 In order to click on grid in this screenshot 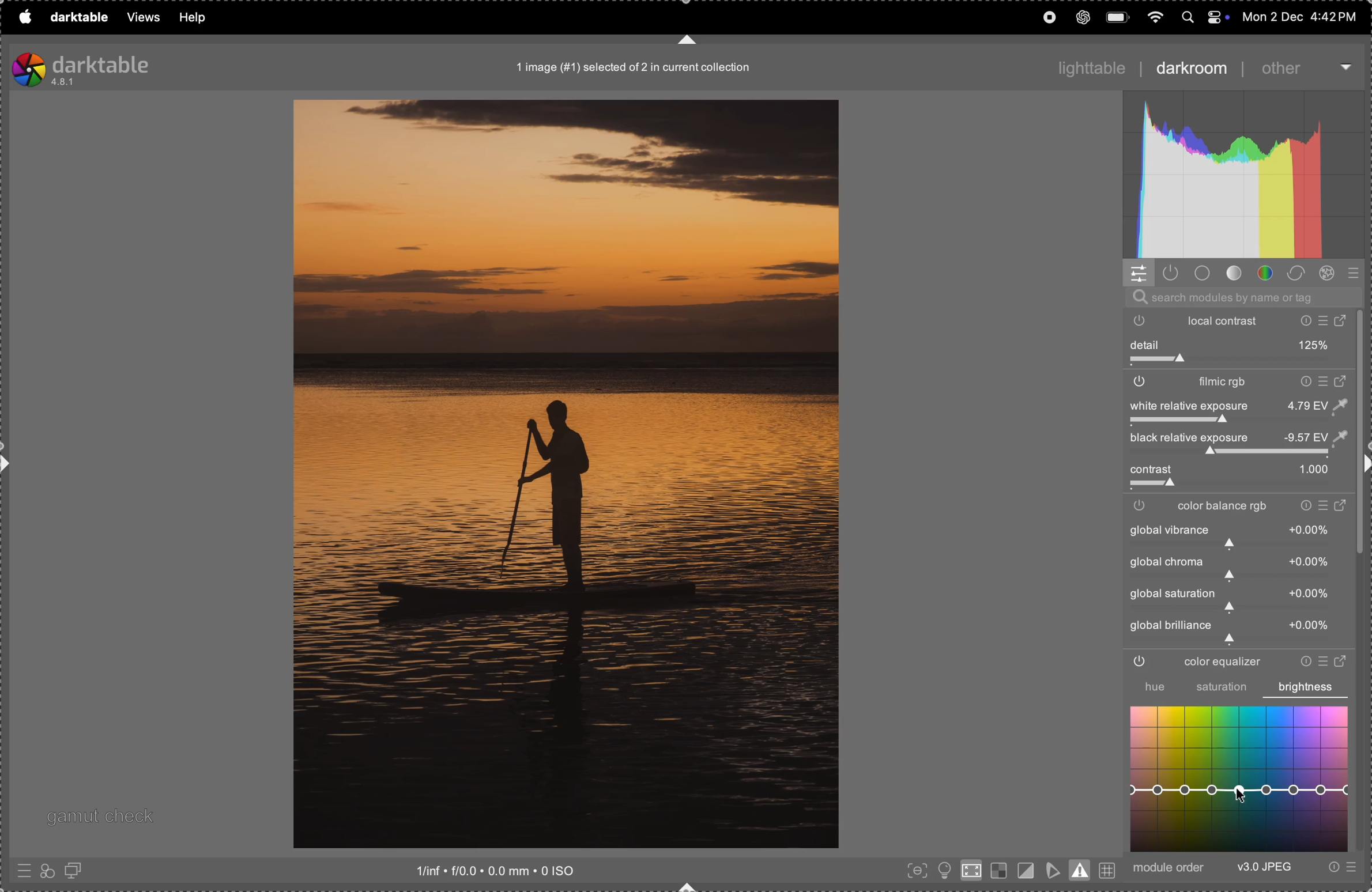, I will do `click(1108, 868)`.